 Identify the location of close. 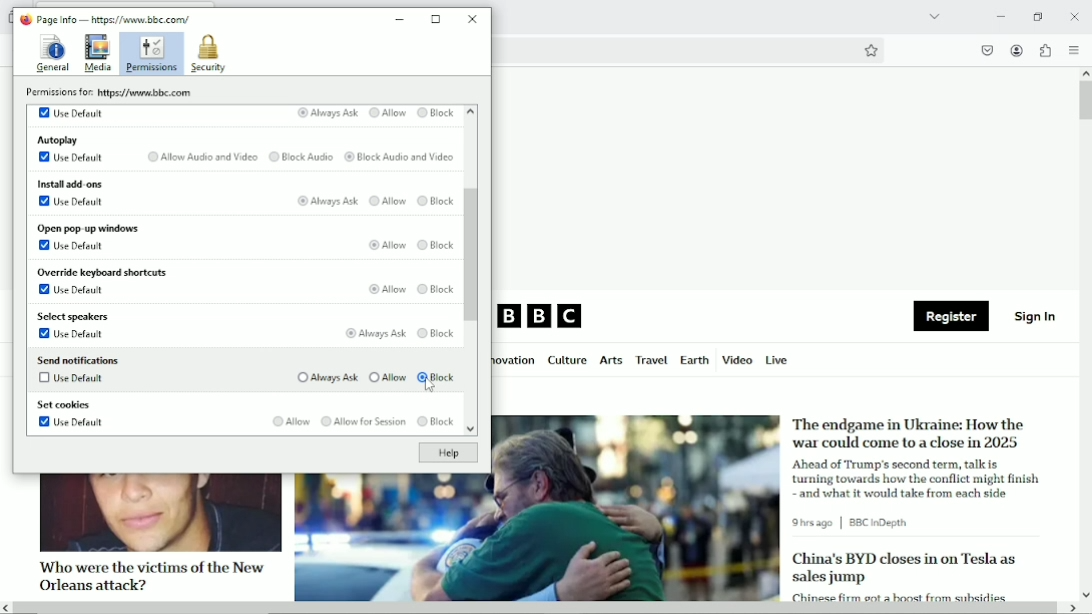
(474, 18).